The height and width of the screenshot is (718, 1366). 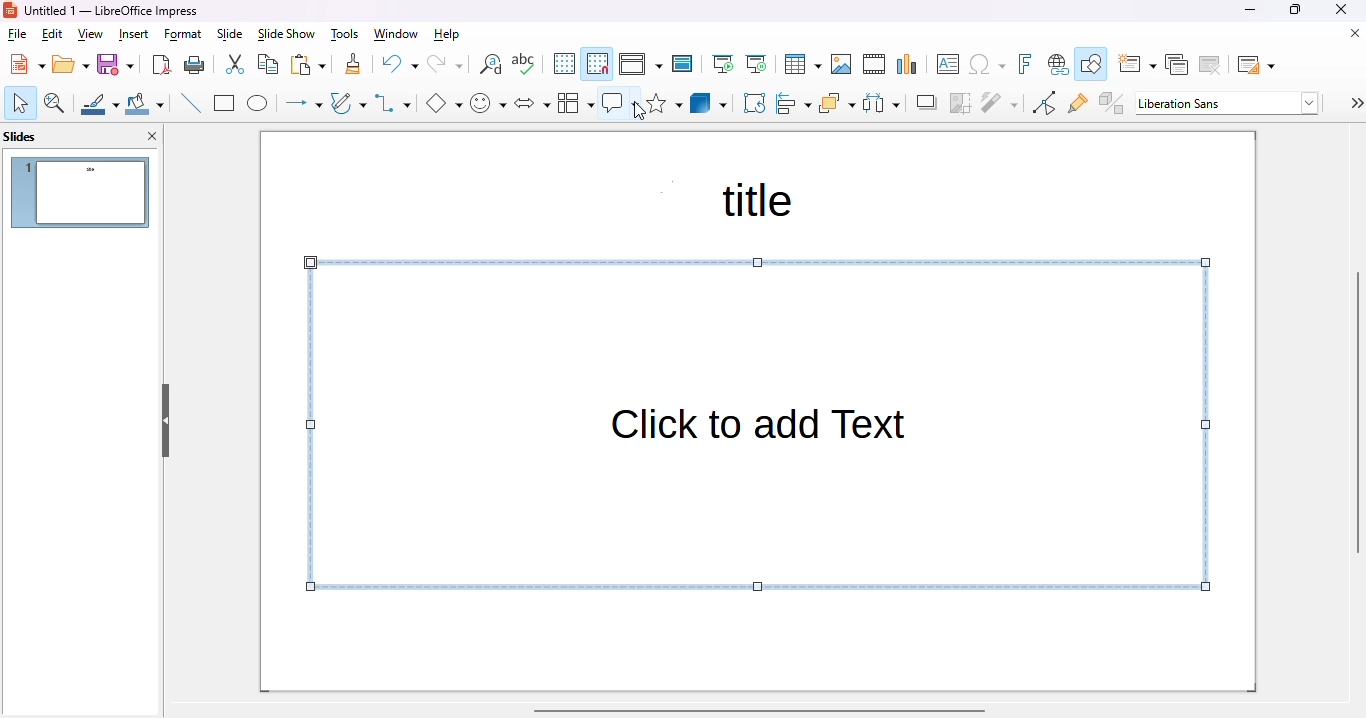 What do you see at coordinates (925, 103) in the screenshot?
I see `shadow` at bounding box center [925, 103].